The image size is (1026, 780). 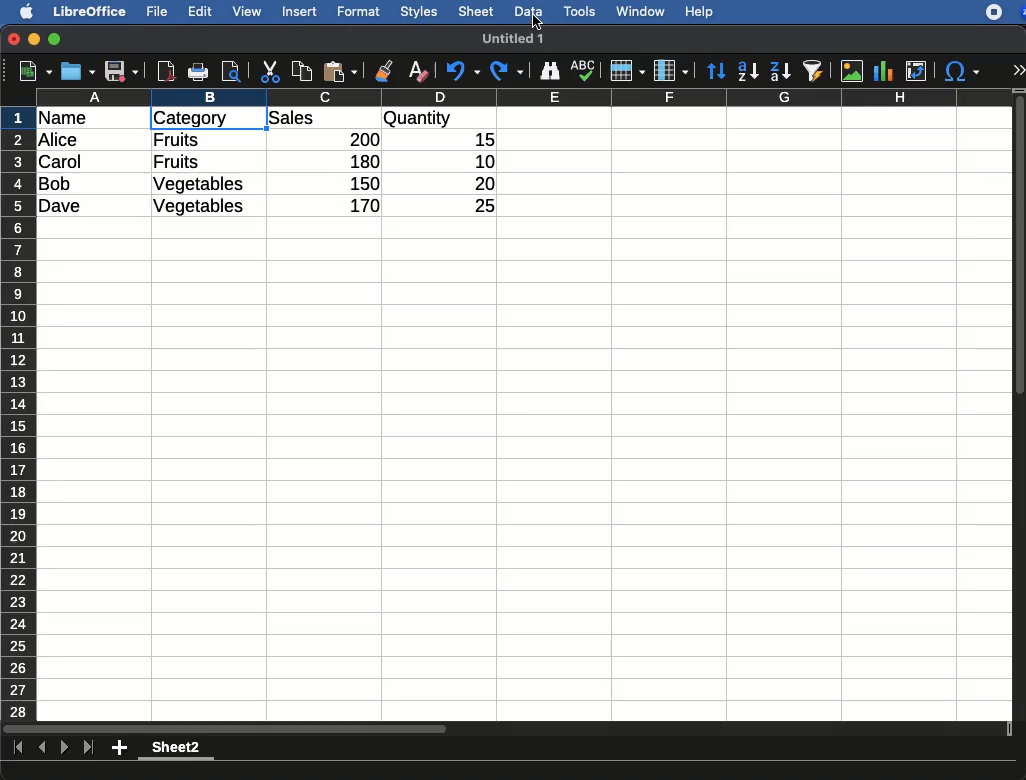 I want to click on previous sheet, so click(x=44, y=748).